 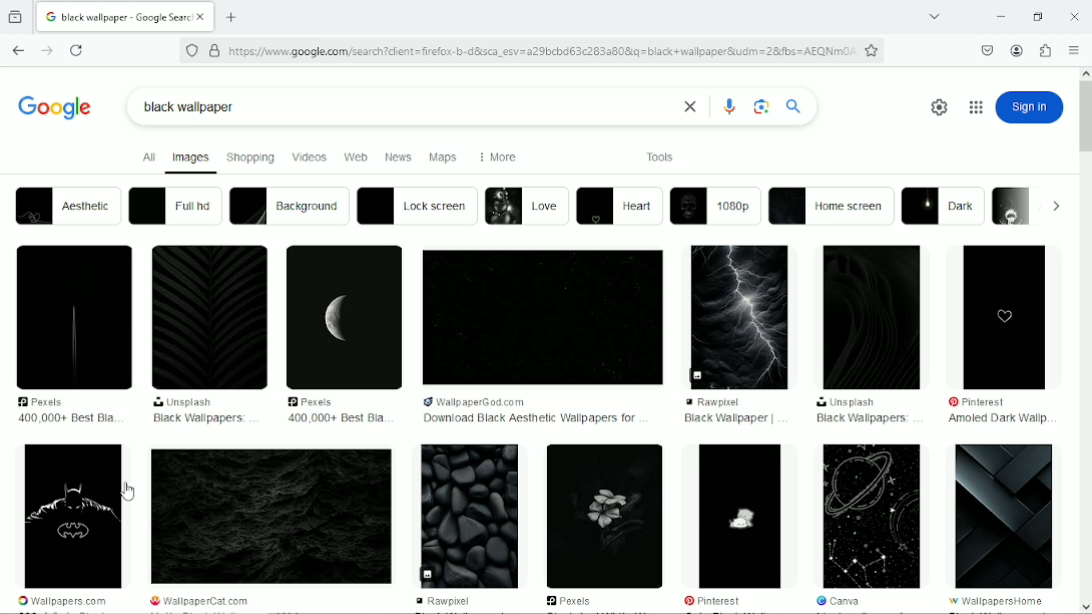 I want to click on black wallpaper image, so click(x=606, y=516).